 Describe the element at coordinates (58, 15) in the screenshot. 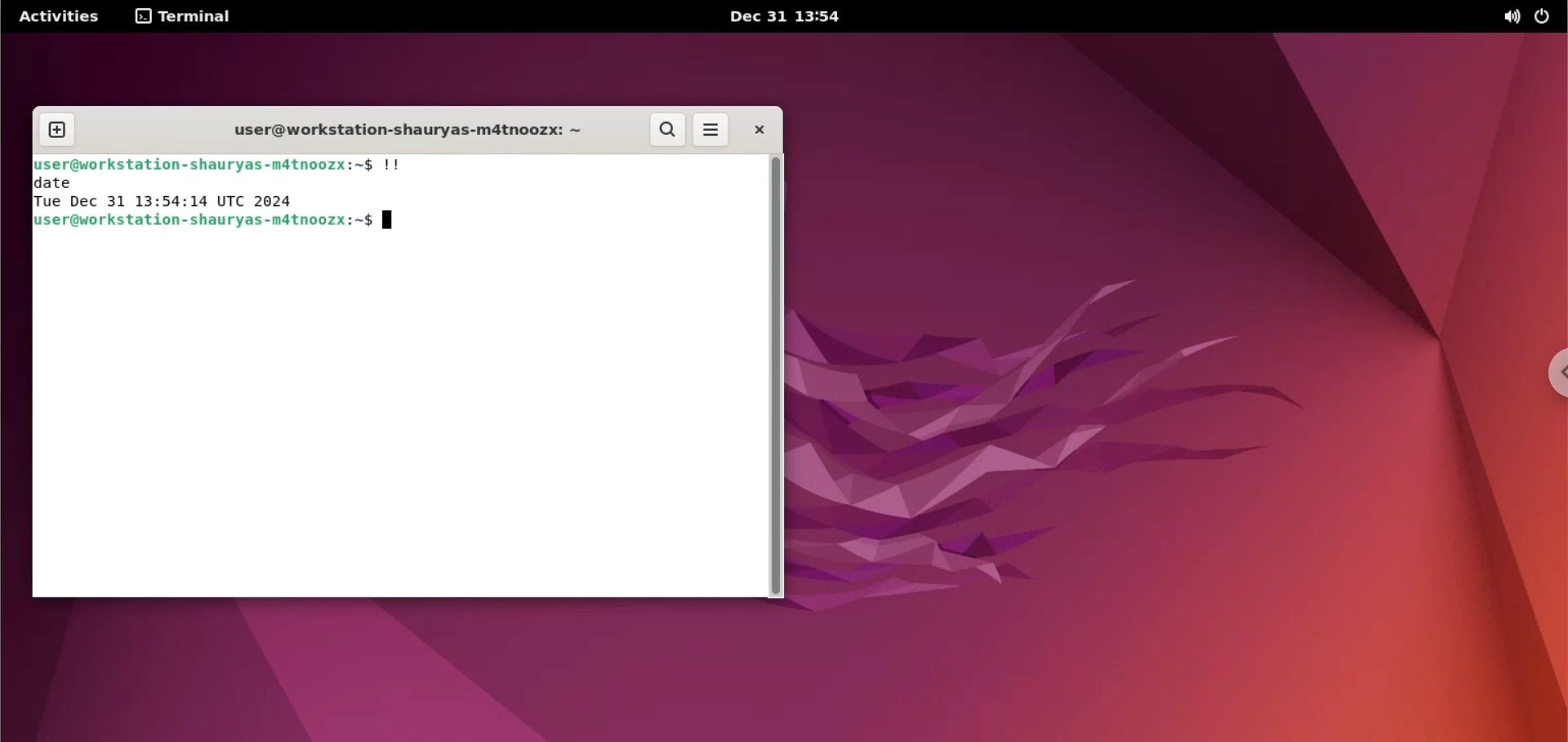

I see `Activities` at that location.